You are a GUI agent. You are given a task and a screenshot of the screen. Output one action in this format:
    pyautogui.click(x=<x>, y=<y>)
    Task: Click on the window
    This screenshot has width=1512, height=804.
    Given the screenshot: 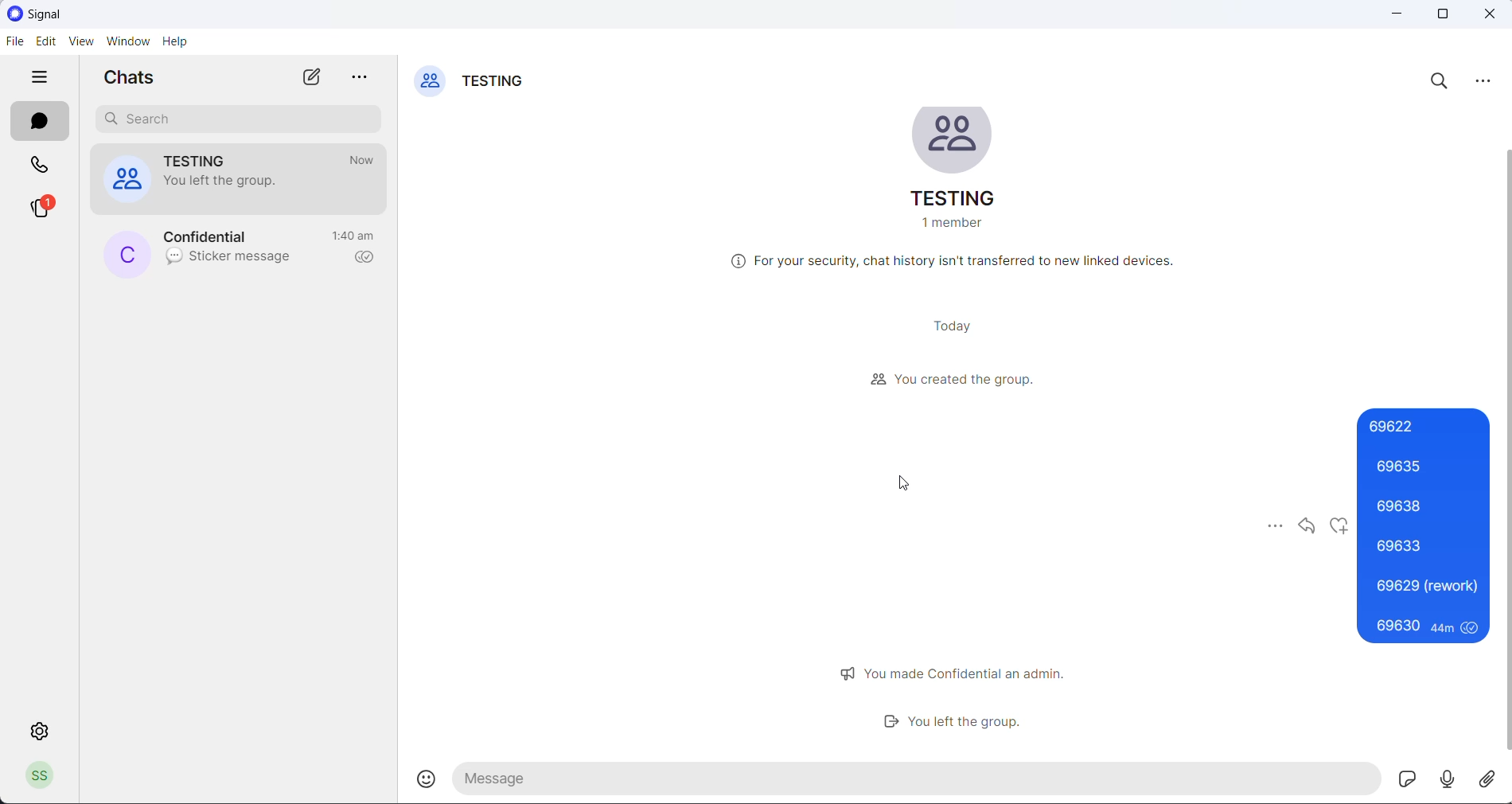 What is the action you would take?
    pyautogui.click(x=127, y=44)
    